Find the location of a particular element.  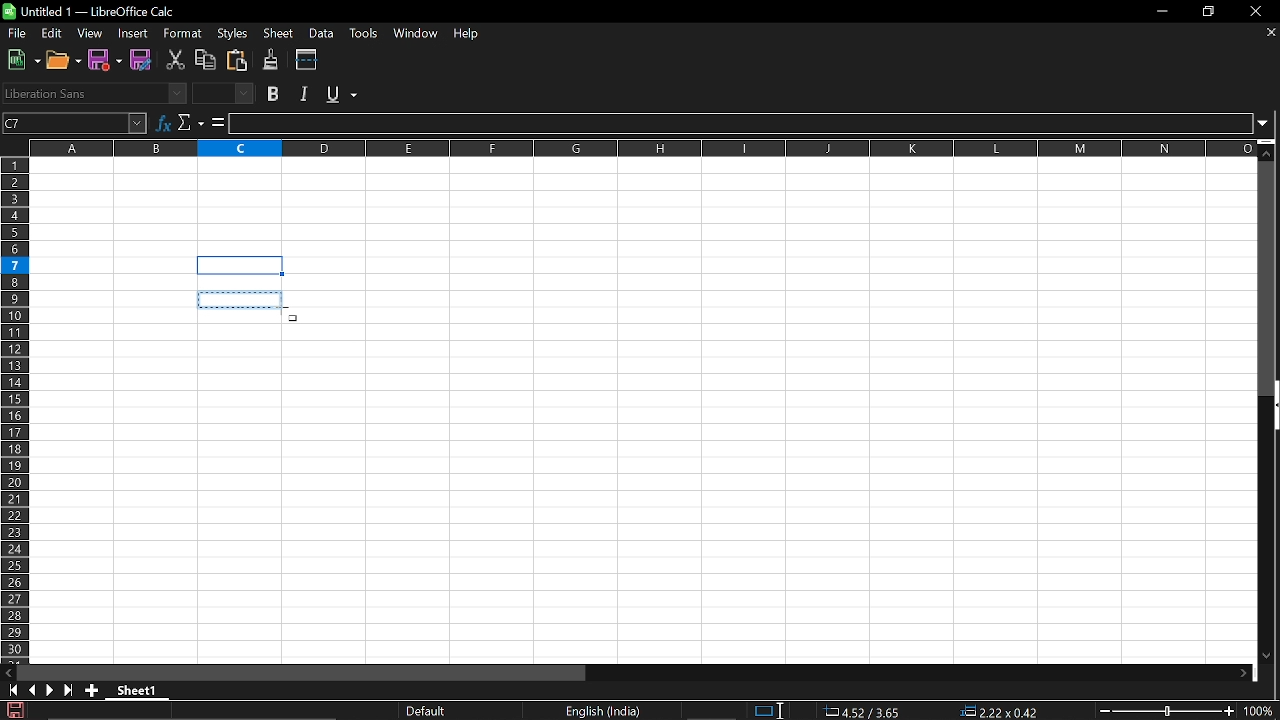

Edit is located at coordinates (53, 34).